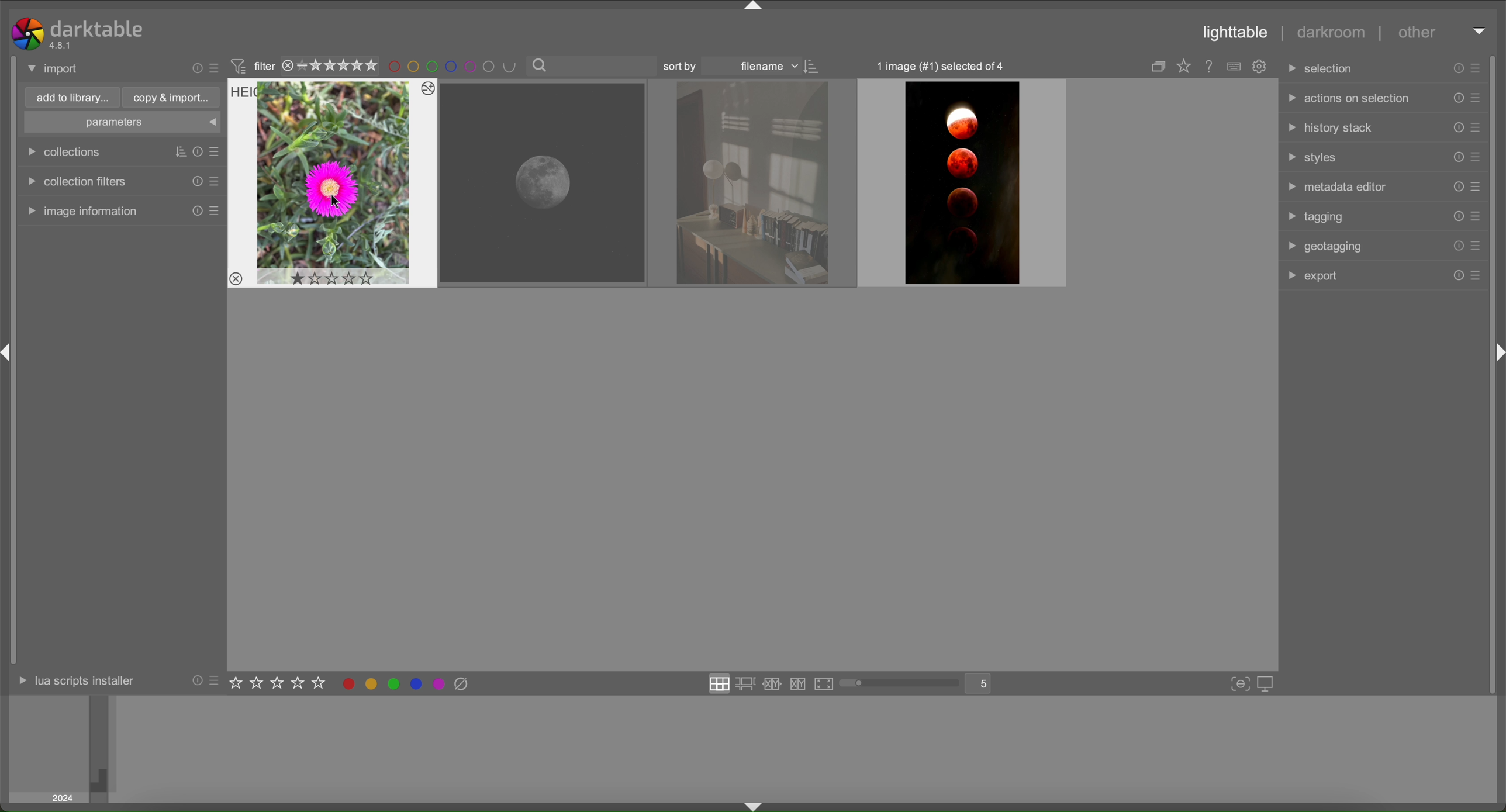 The height and width of the screenshot is (812, 1506). Describe the element at coordinates (214, 149) in the screenshot. I see `presets` at that location.